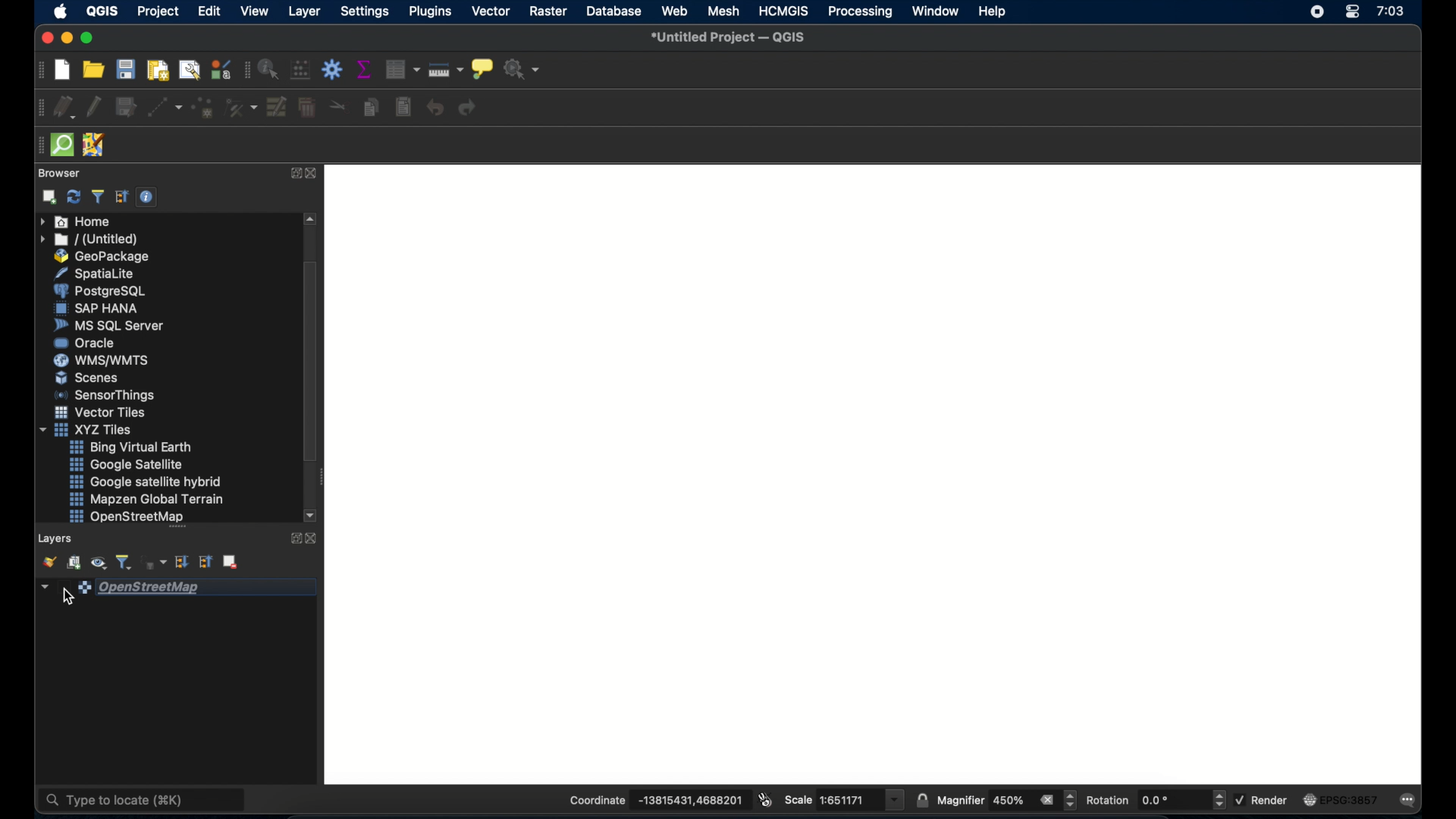  What do you see at coordinates (96, 197) in the screenshot?
I see `filter browser` at bounding box center [96, 197].